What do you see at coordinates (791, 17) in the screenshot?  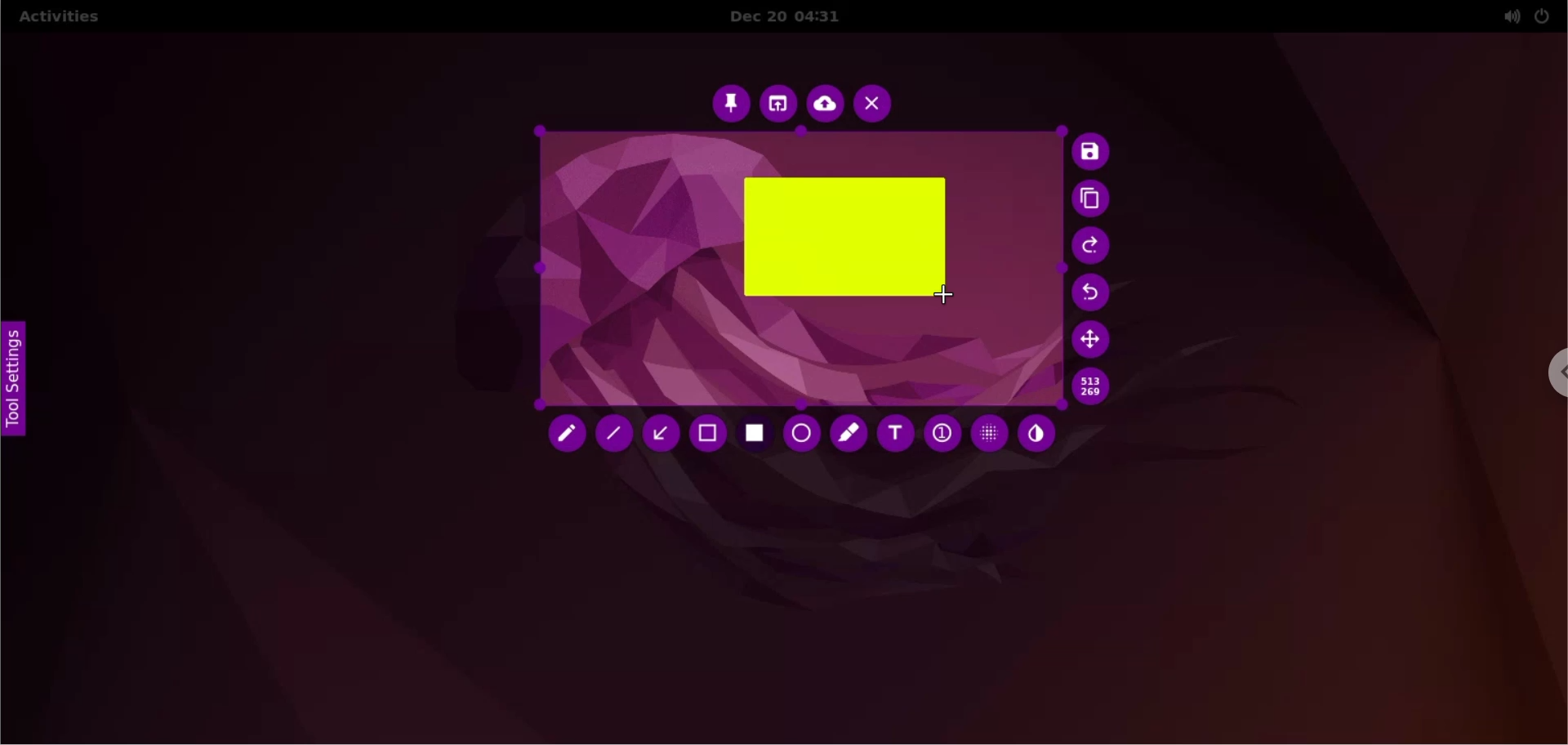 I see `Dec 20 04:31` at bounding box center [791, 17].